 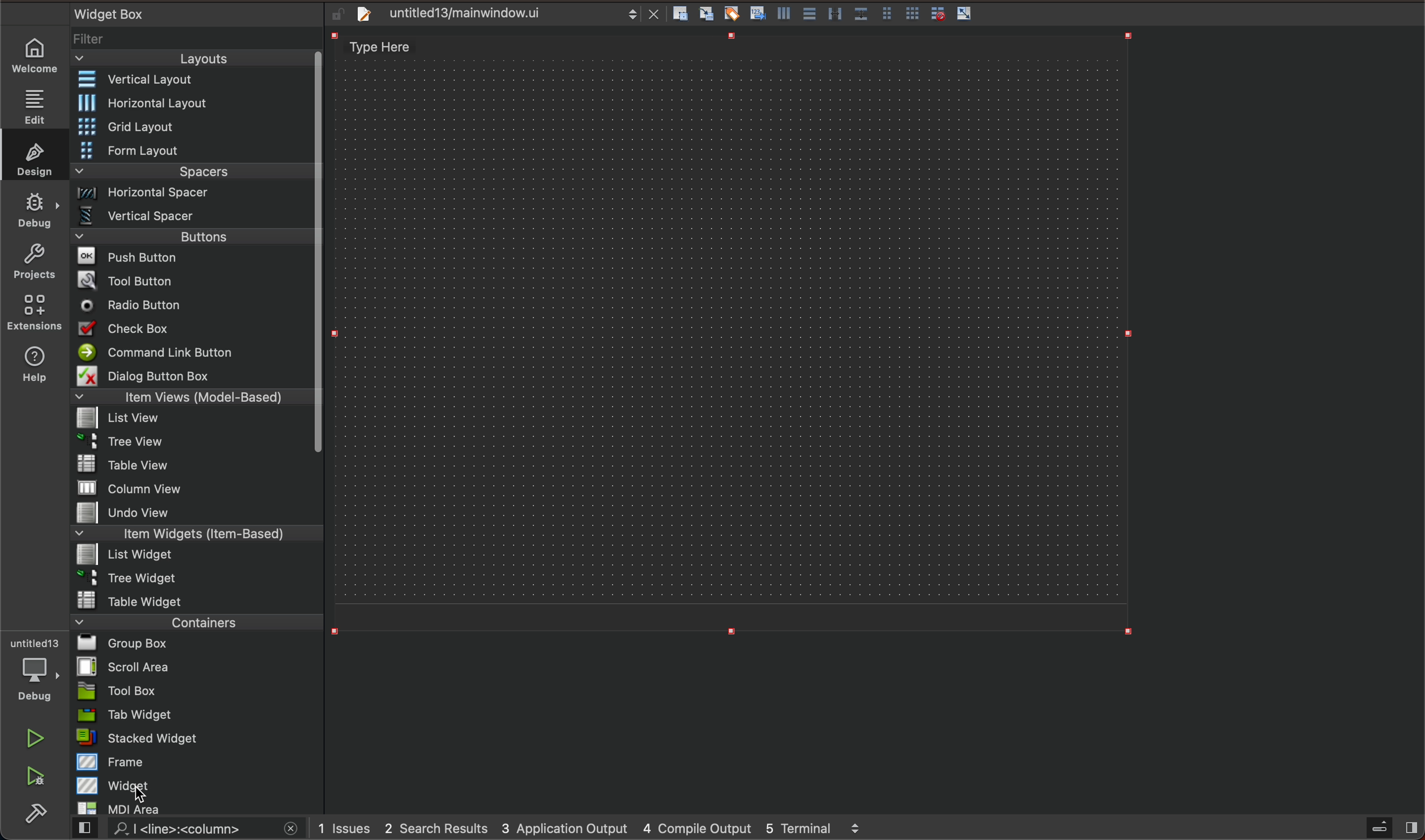 What do you see at coordinates (198, 785) in the screenshot?
I see `widget` at bounding box center [198, 785].